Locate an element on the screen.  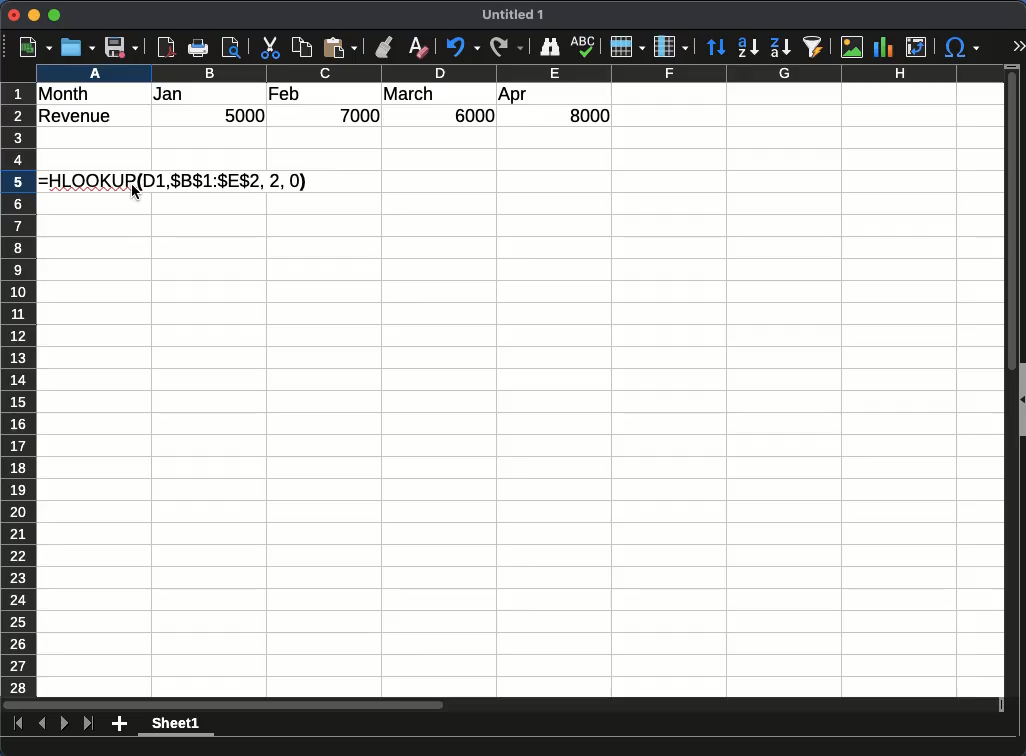
columns is located at coordinates (520, 73).